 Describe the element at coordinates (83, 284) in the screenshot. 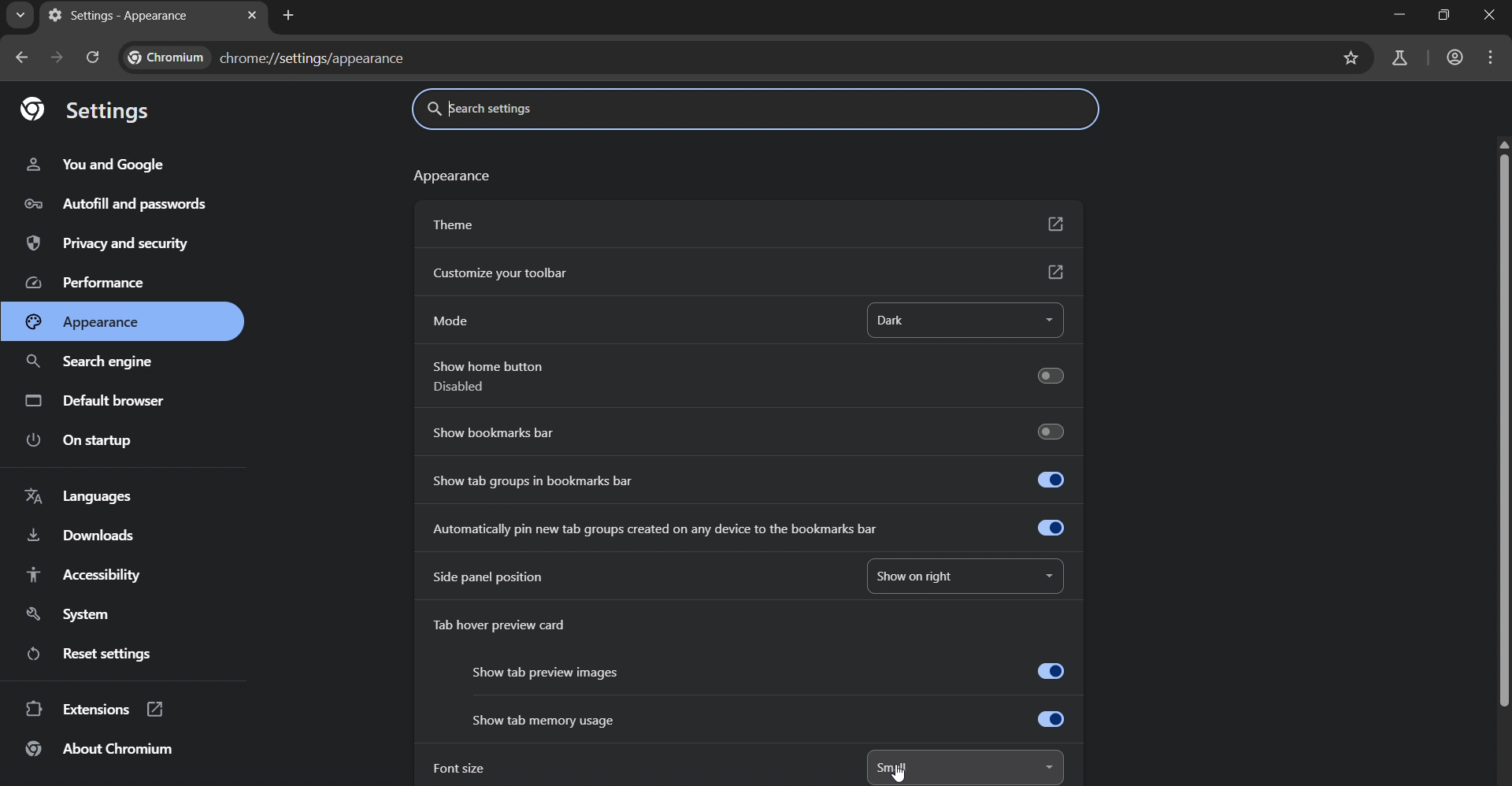

I see `performance` at that location.